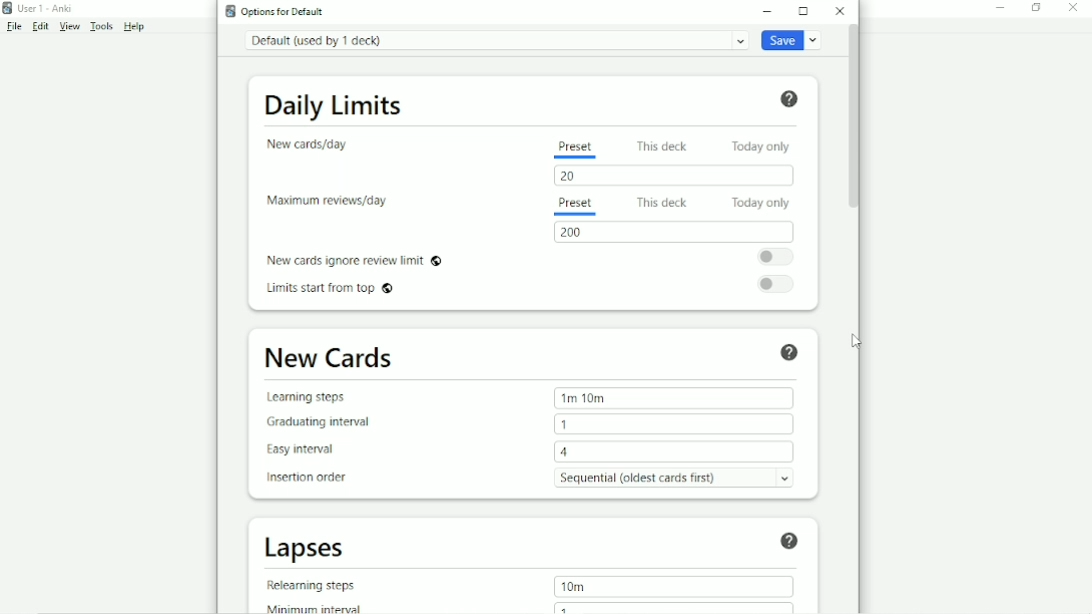 The image size is (1092, 614). What do you see at coordinates (791, 100) in the screenshot?
I see `Help` at bounding box center [791, 100].